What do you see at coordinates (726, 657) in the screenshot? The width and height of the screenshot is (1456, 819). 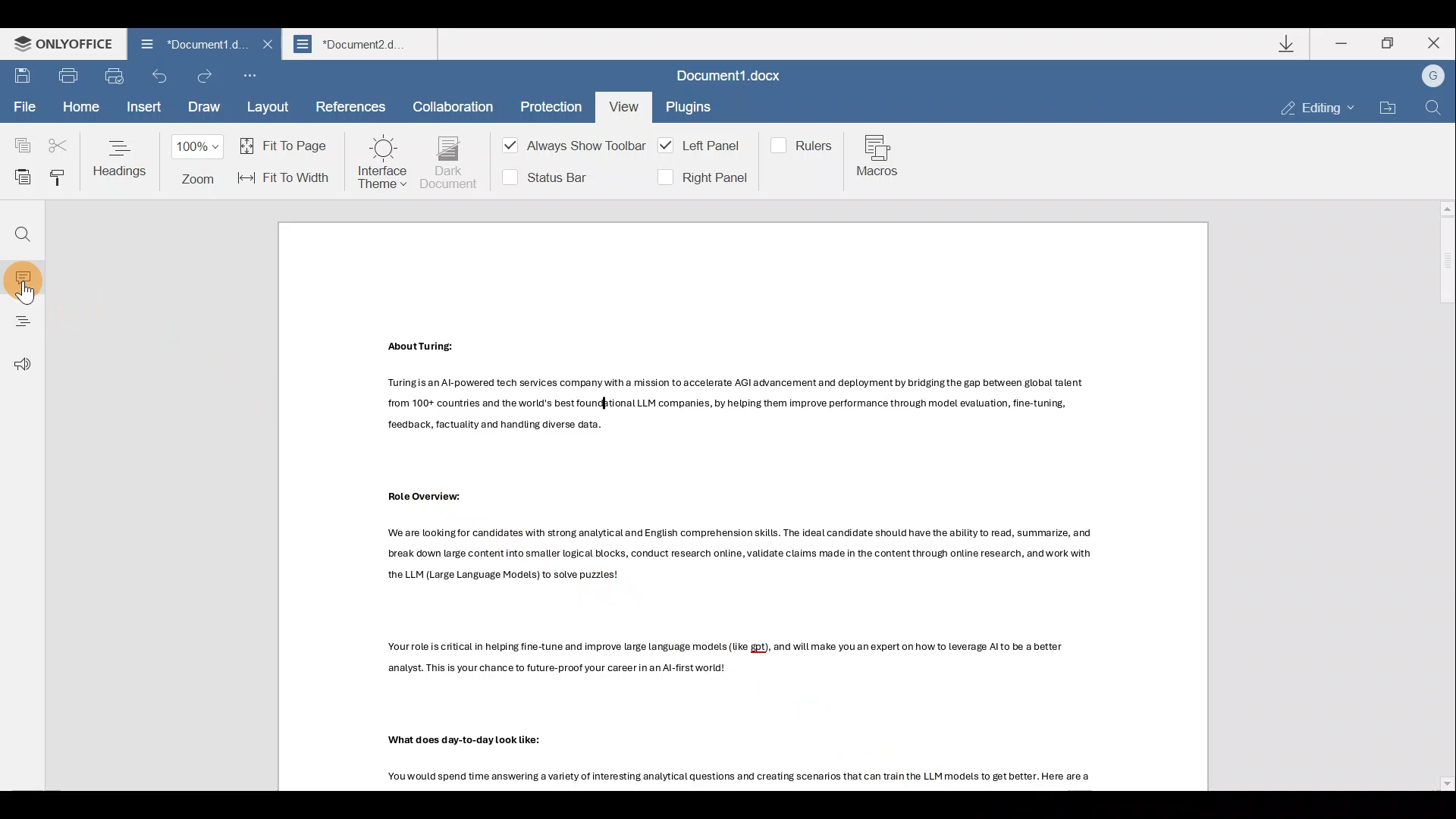 I see `` at bounding box center [726, 657].